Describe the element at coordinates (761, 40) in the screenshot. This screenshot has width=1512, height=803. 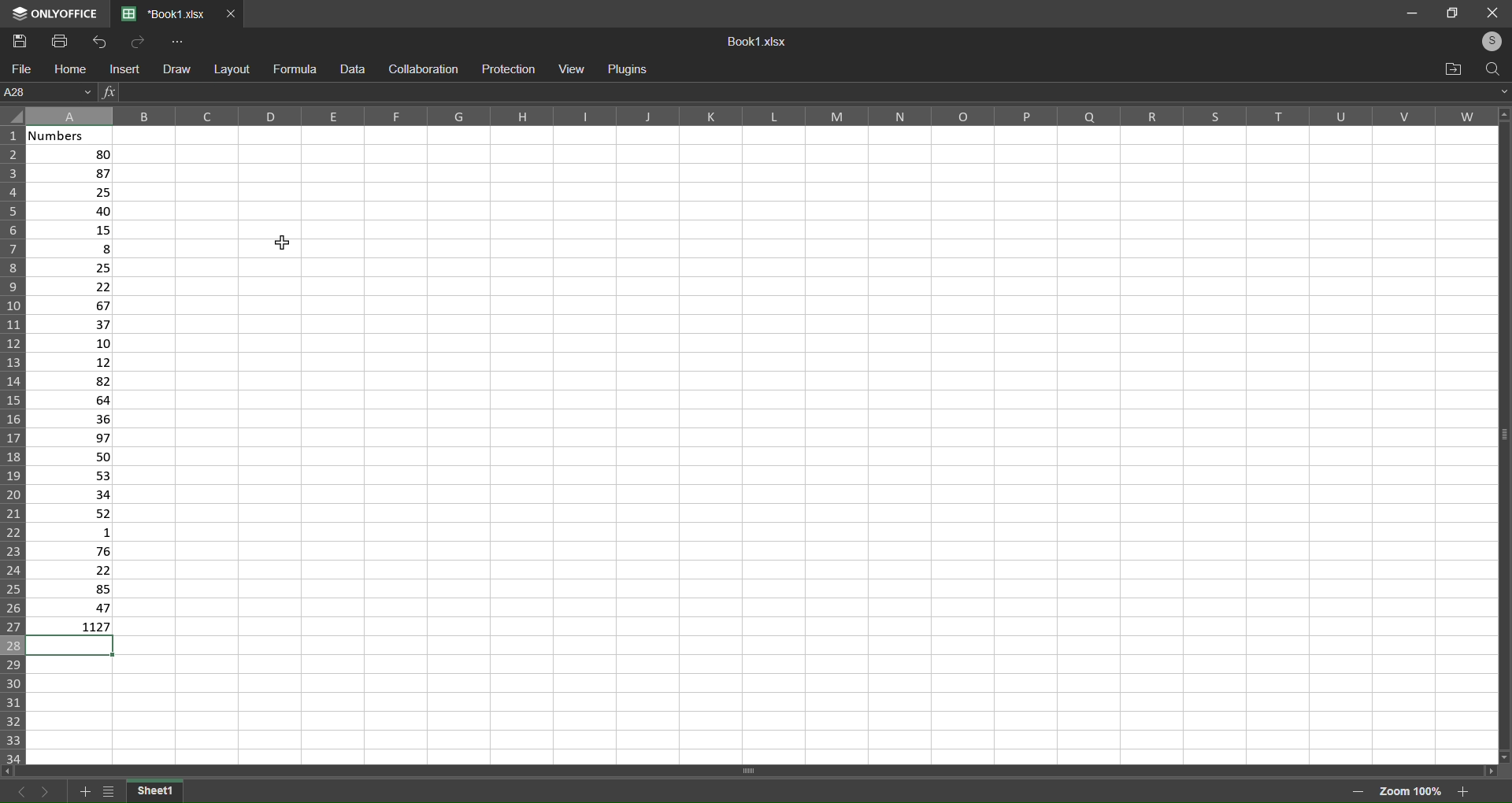
I see `Book1.xslx` at that location.